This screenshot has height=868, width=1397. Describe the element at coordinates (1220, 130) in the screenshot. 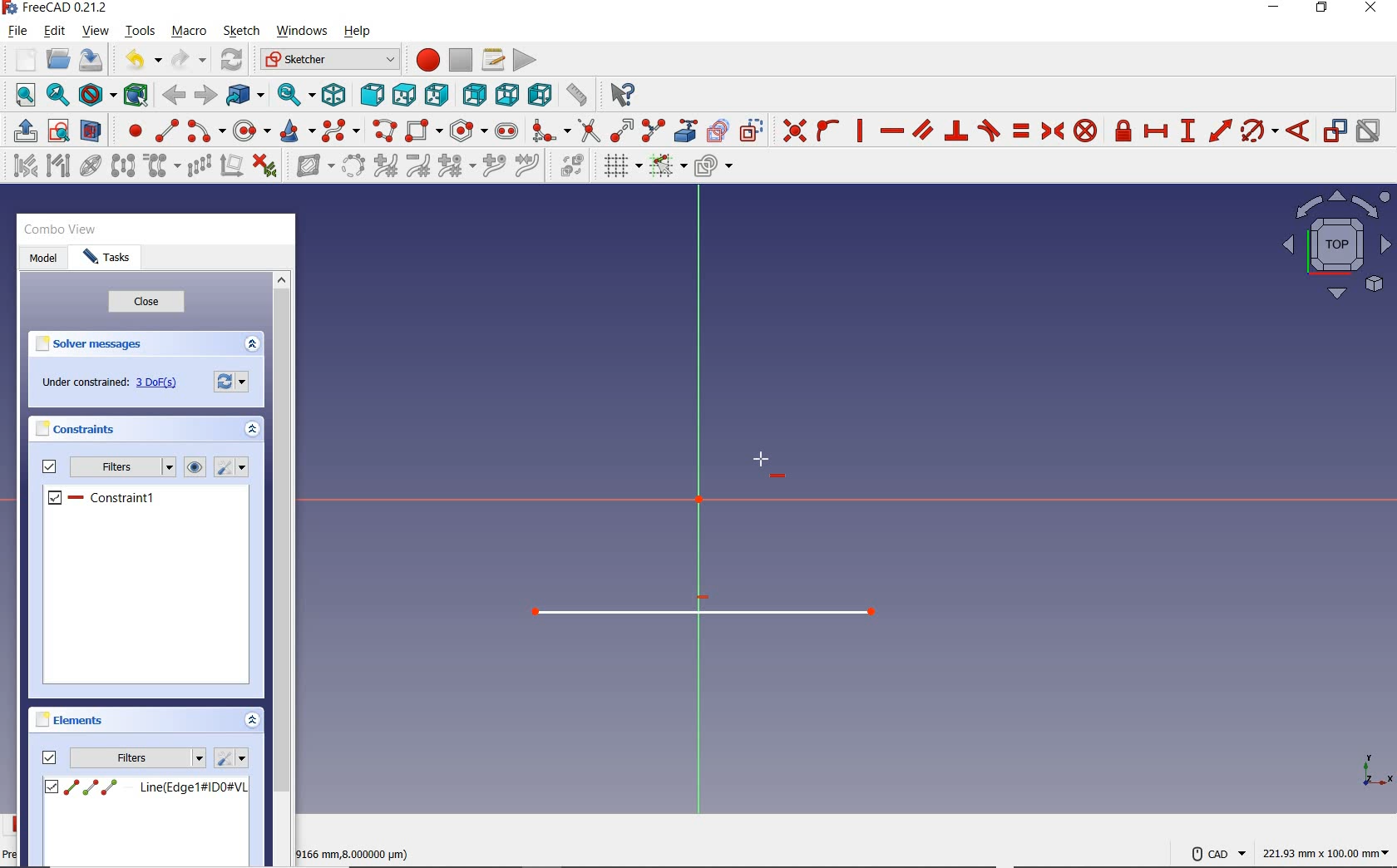

I see `CONSTRAIN DISTANCE` at that location.